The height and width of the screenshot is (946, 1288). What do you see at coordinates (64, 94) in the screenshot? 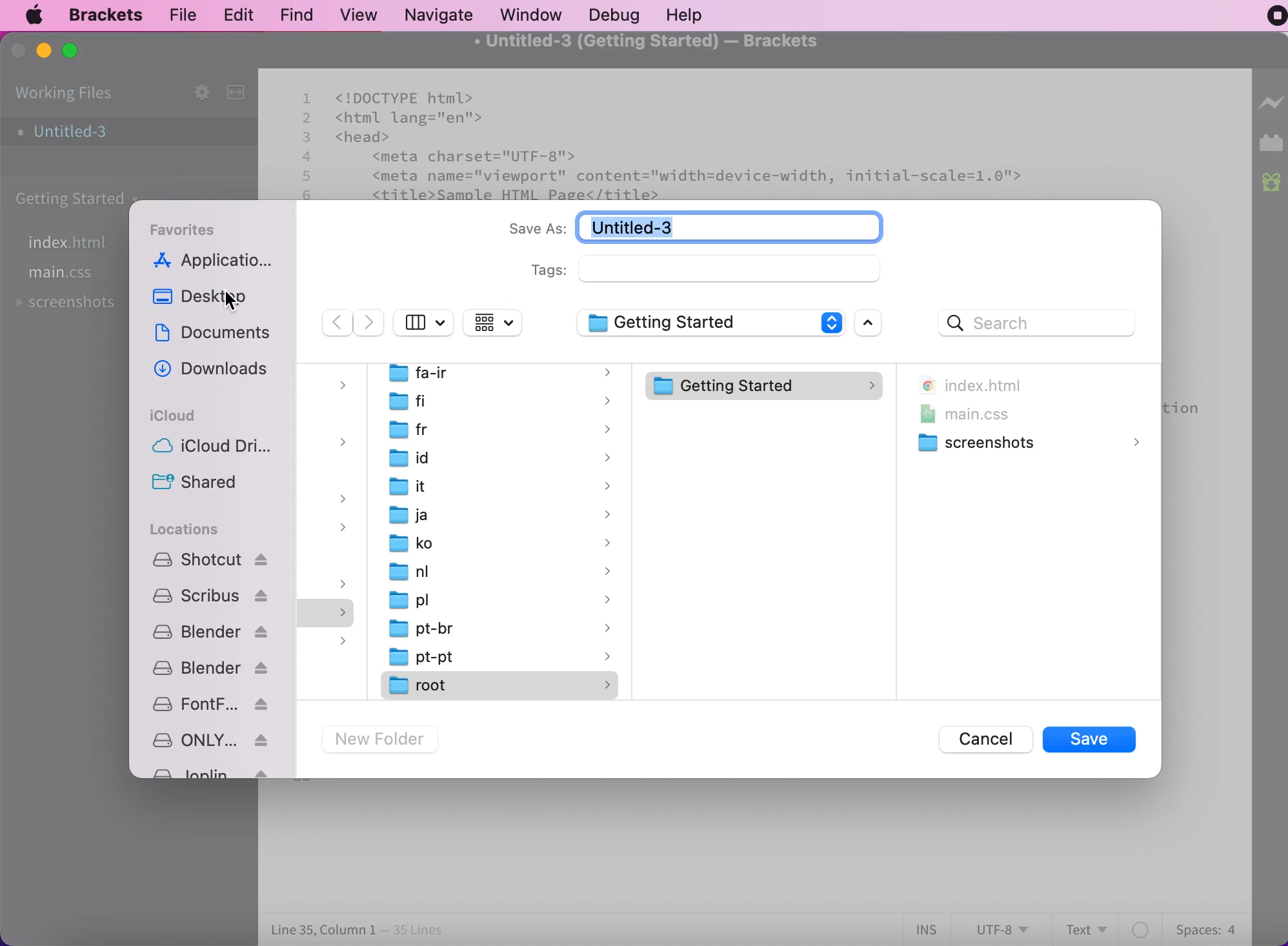
I see `working files` at bounding box center [64, 94].